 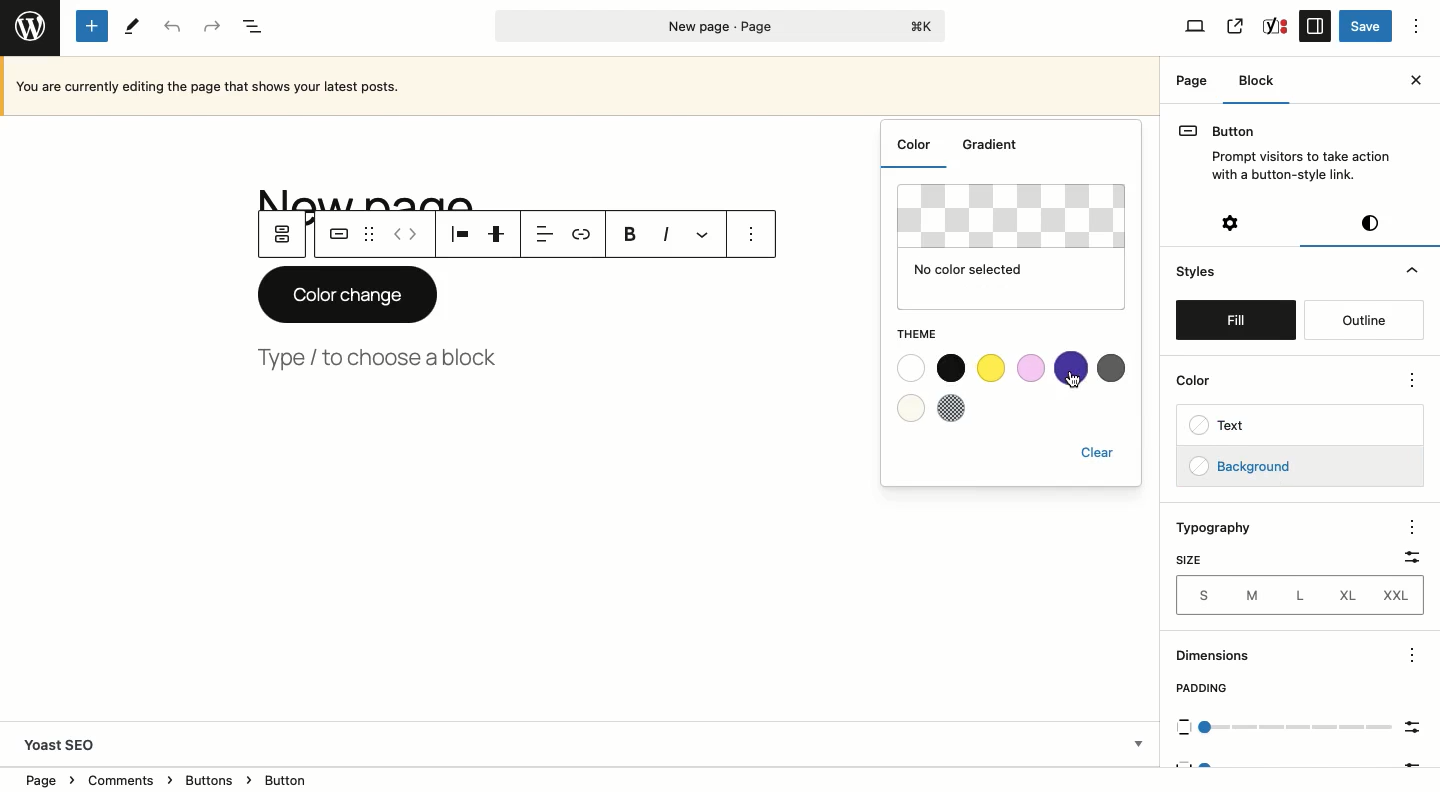 What do you see at coordinates (1223, 527) in the screenshot?
I see `Typography` at bounding box center [1223, 527].